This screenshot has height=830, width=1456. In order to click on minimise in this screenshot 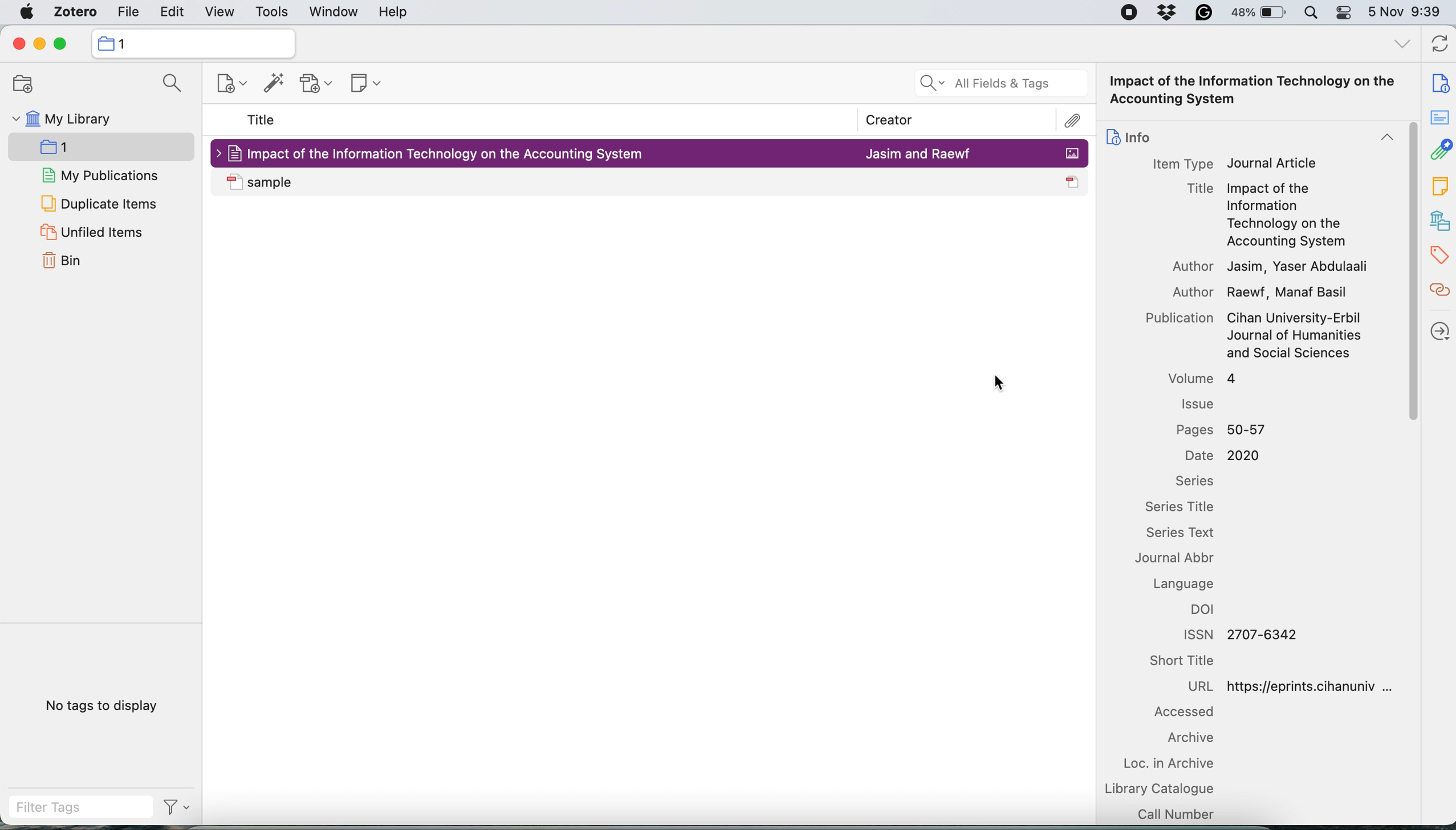, I will do `click(38, 44)`.